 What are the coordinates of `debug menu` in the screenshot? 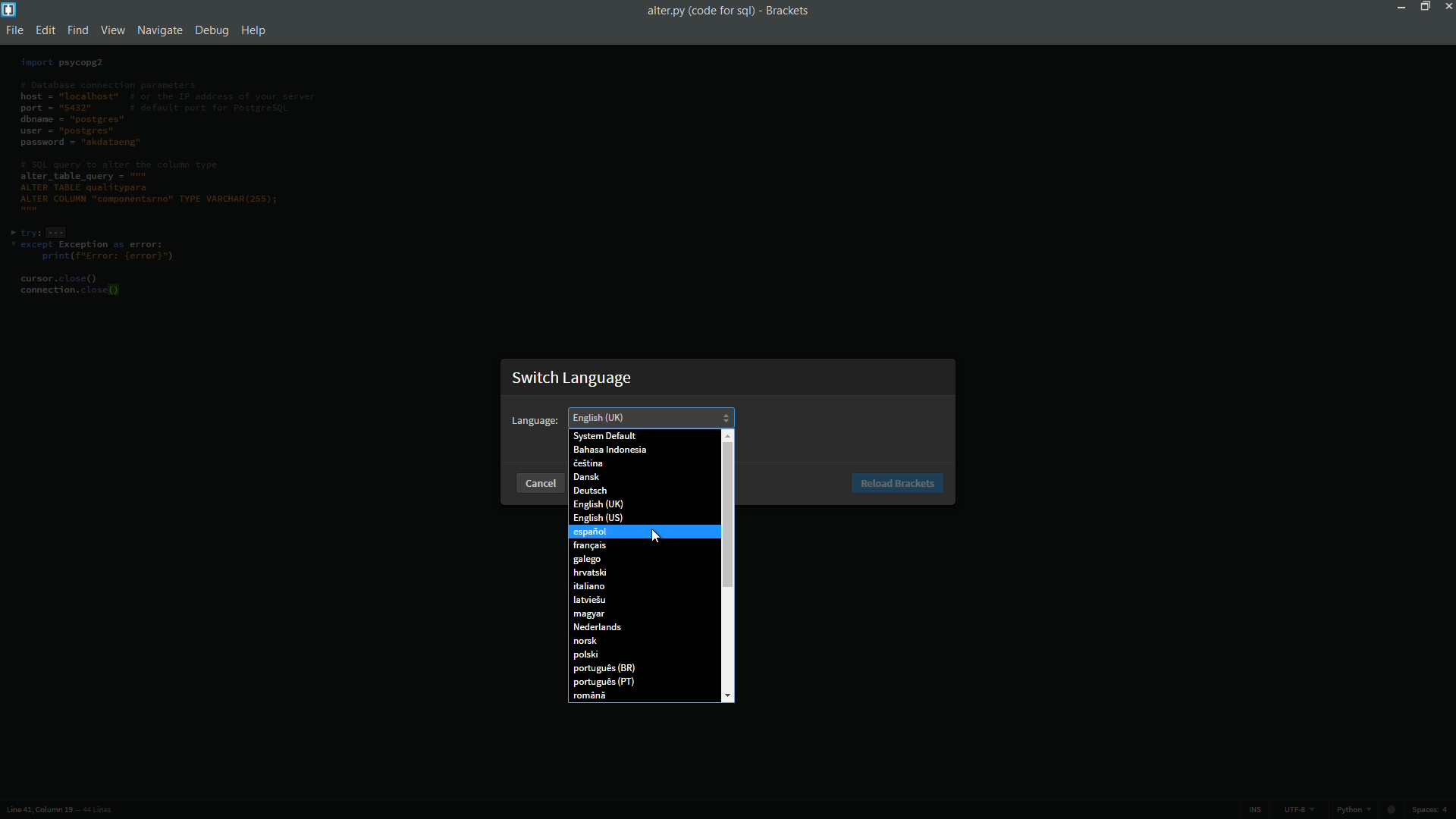 It's located at (209, 31).